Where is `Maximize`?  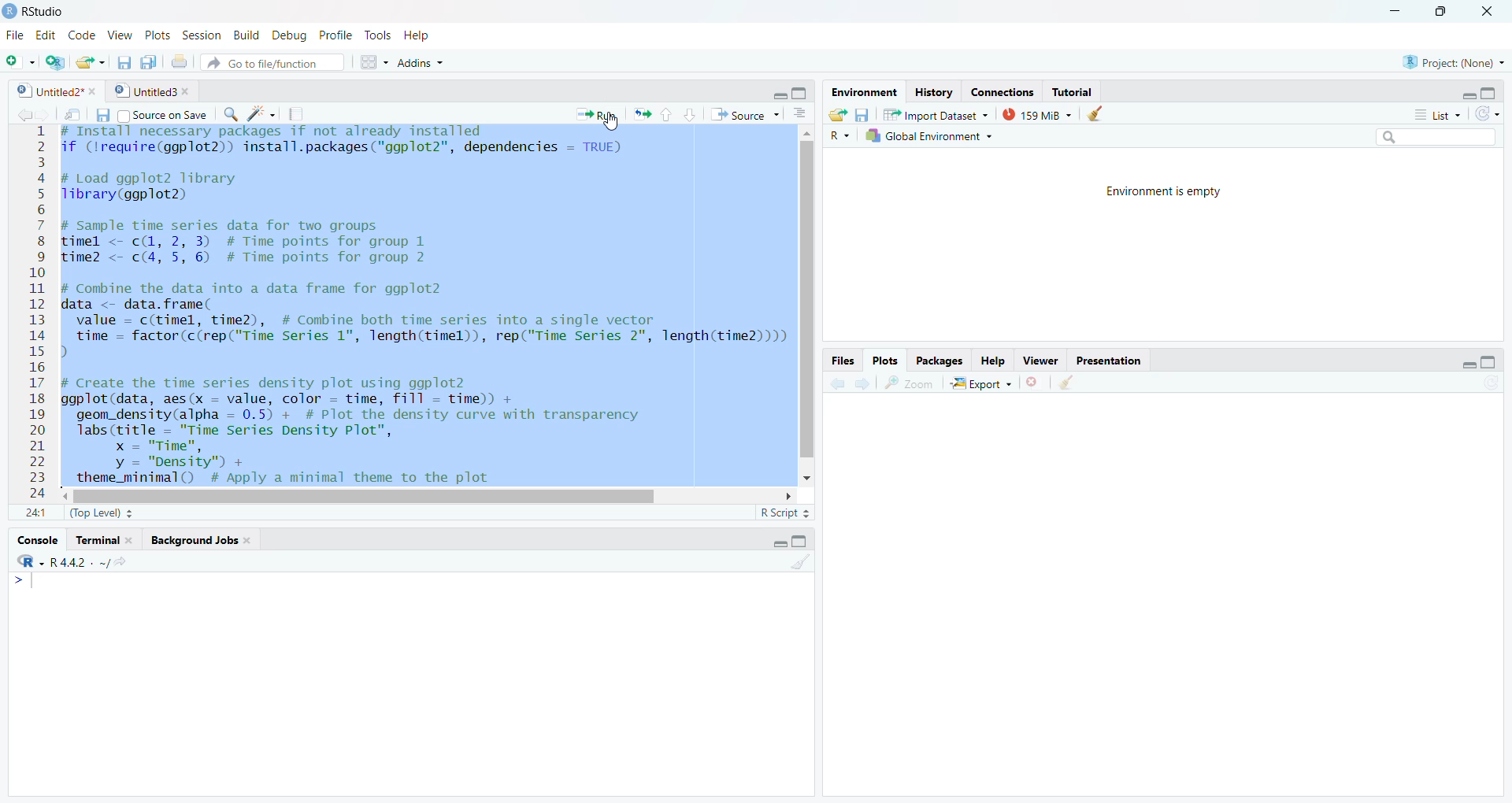
Maximize is located at coordinates (1488, 364).